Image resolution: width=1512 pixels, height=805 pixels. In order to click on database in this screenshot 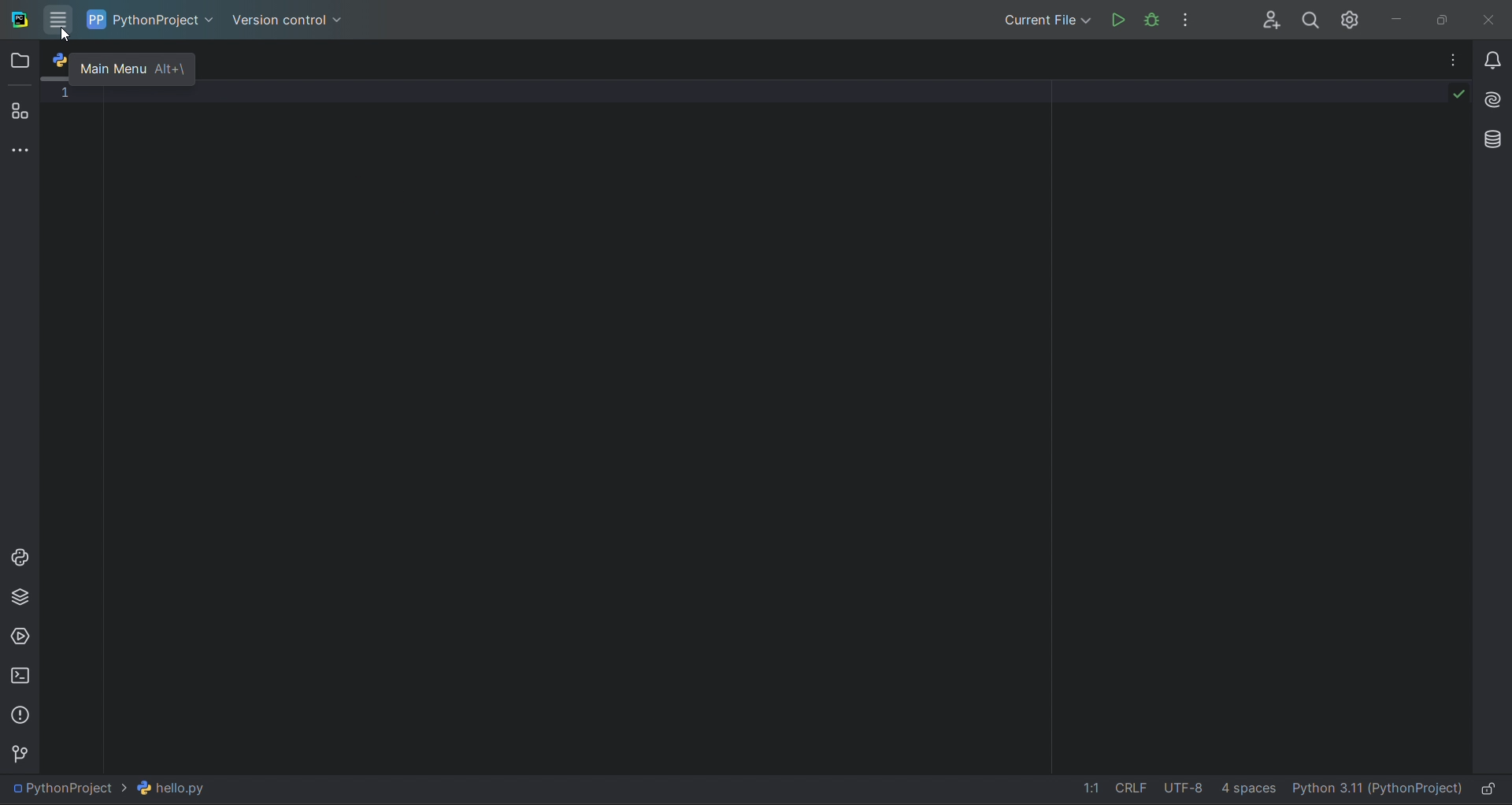, I will do `click(1489, 138)`.